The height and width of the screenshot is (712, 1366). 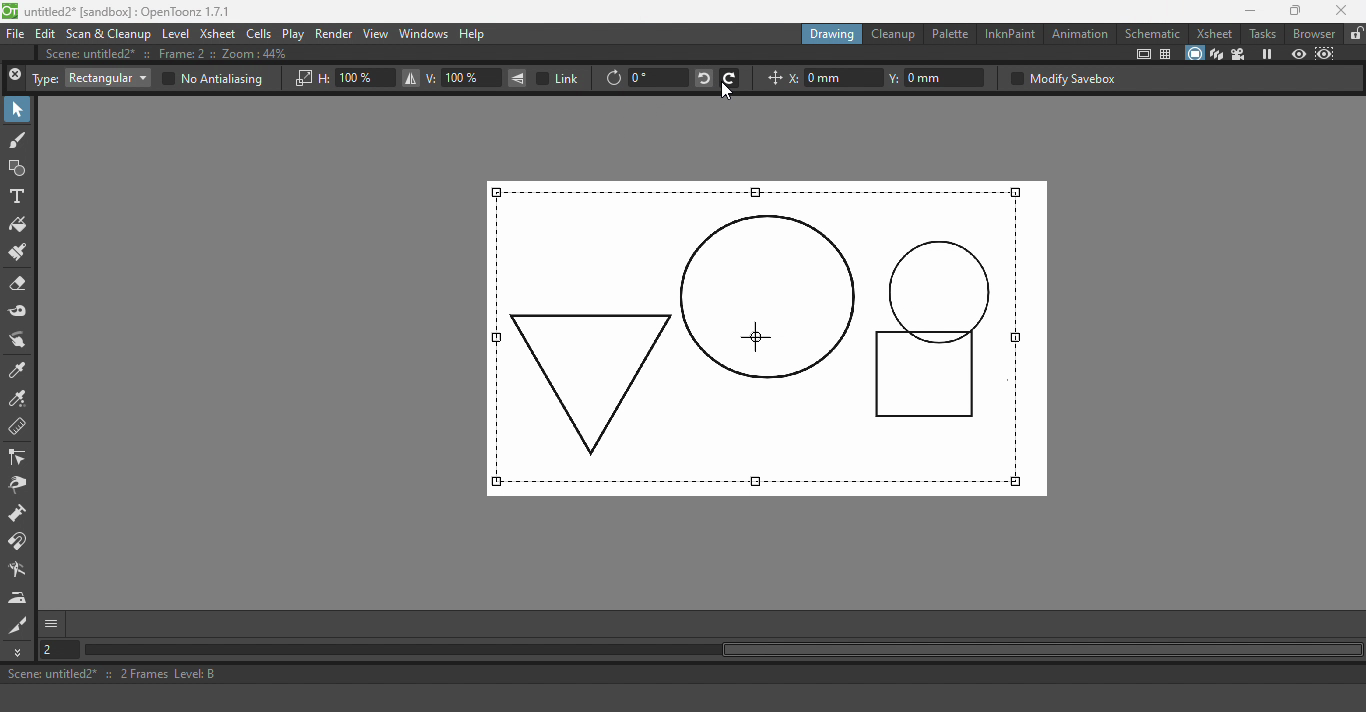 What do you see at coordinates (463, 78) in the screenshot?
I see `V: 0%` at bounding box center [463, 78].